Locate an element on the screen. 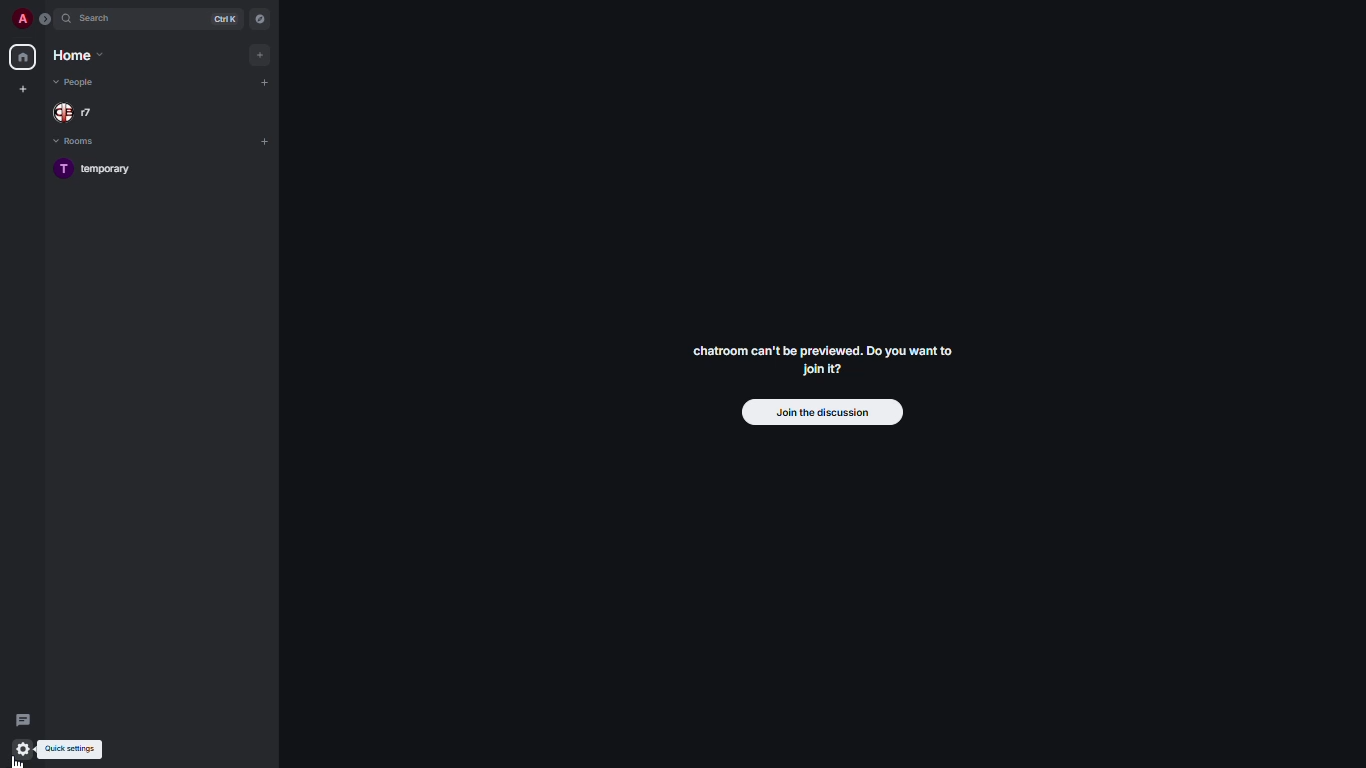  chatroom can't be previewed. Do you want to
Joint? is located at coordinates (830, 361).